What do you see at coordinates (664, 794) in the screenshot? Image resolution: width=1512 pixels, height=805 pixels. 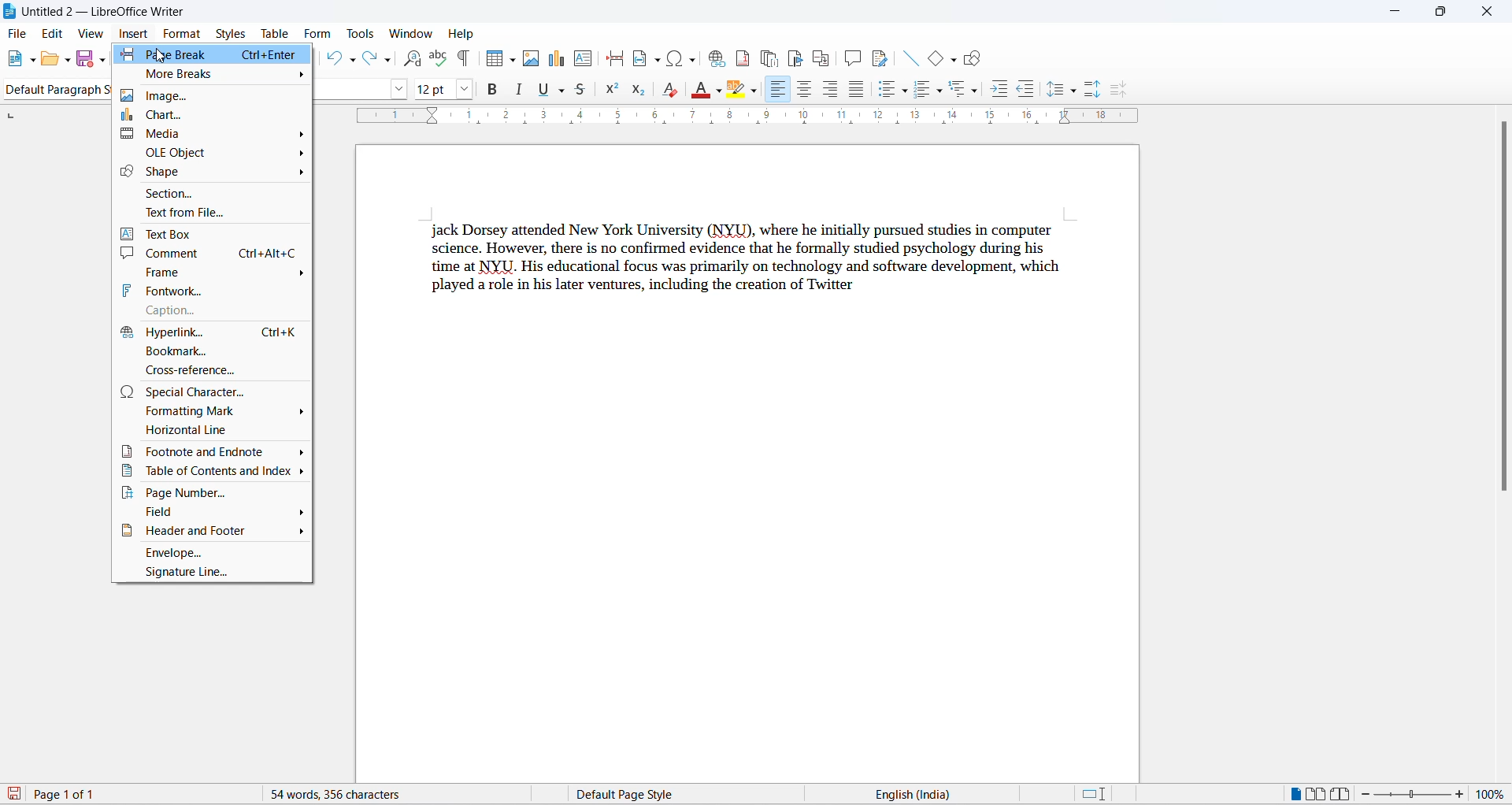 I see `Default Page Style` at bounding box center [664, 794].